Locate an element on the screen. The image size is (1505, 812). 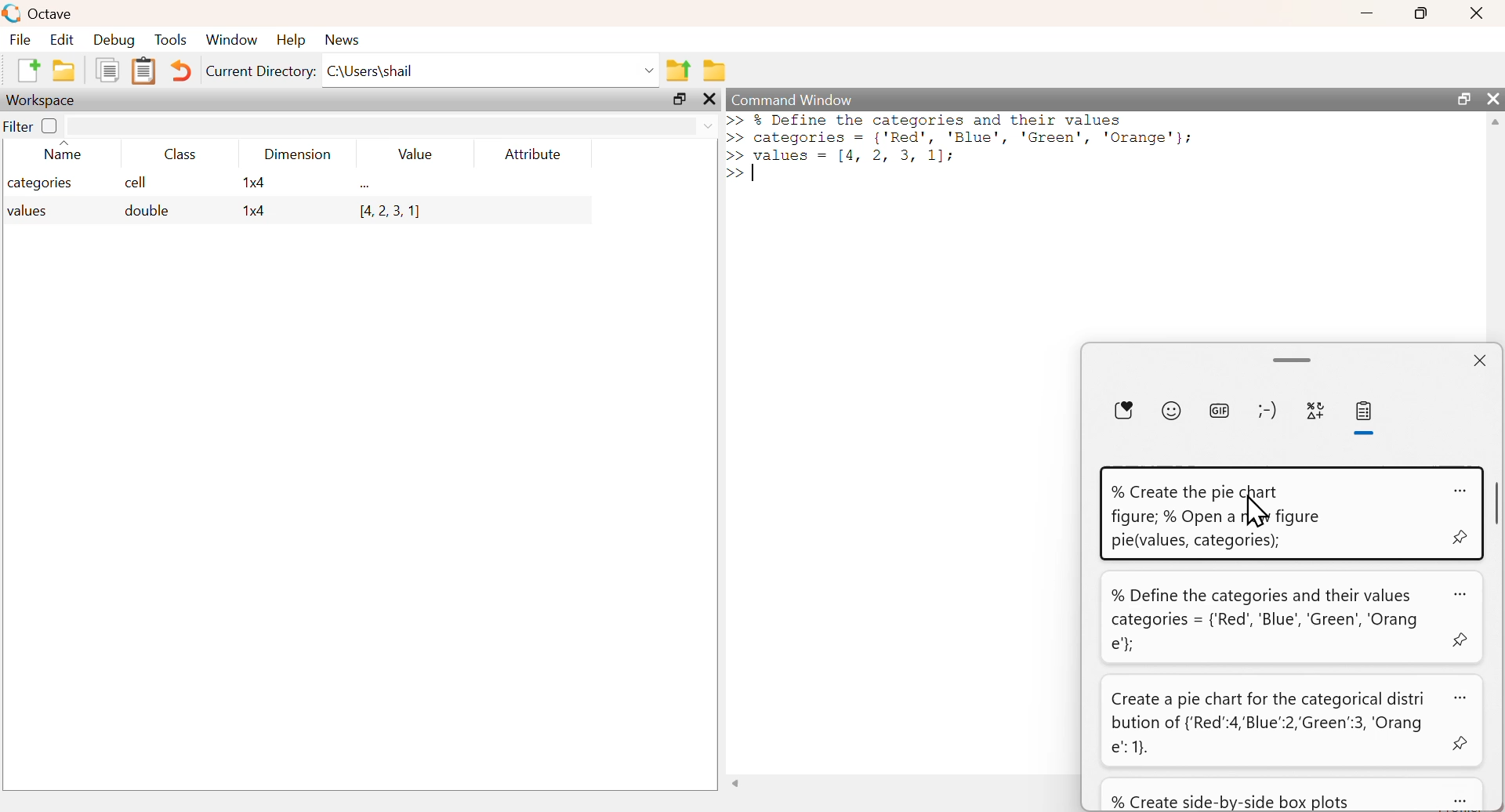
Create a pie chart for the categorical distri
bution of {'Red":4,'Blue":2,'Green":3, Png
e" 1}. is located at coordinates (1270, 725).